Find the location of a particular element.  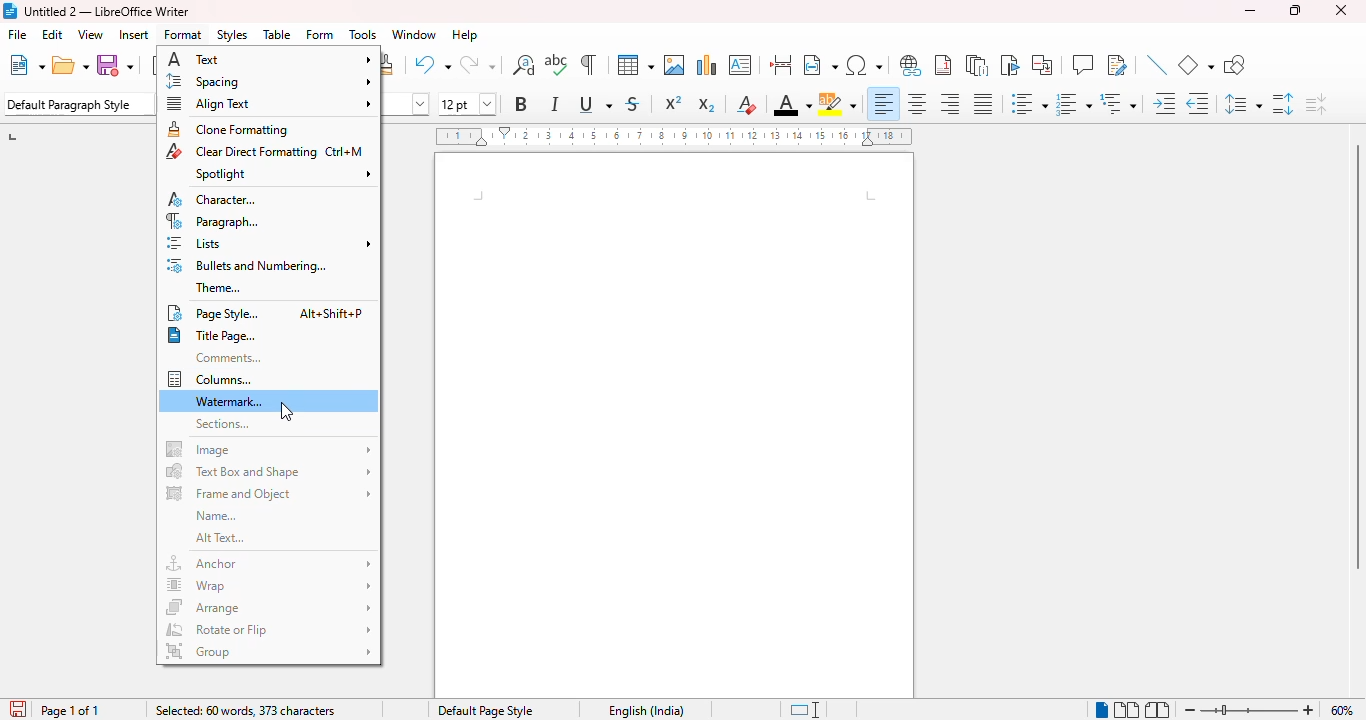

redo is located at coordinates (477, 65).